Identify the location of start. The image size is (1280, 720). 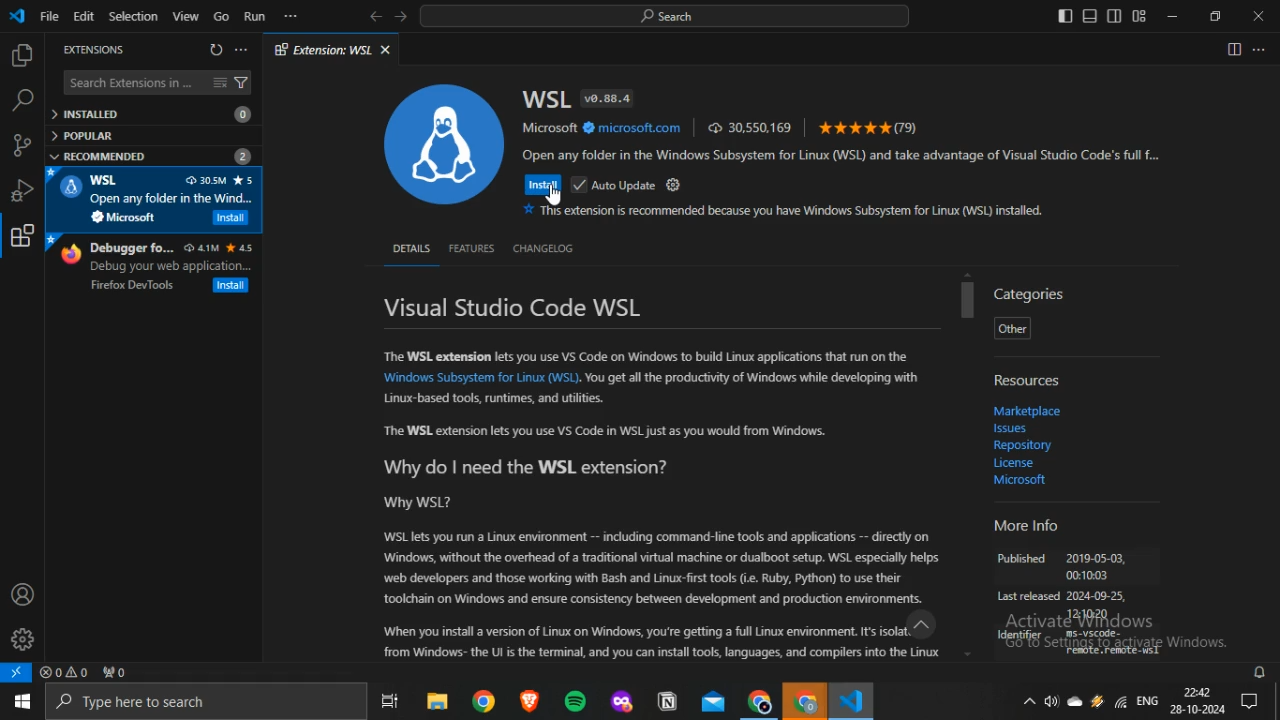
(21, 702).